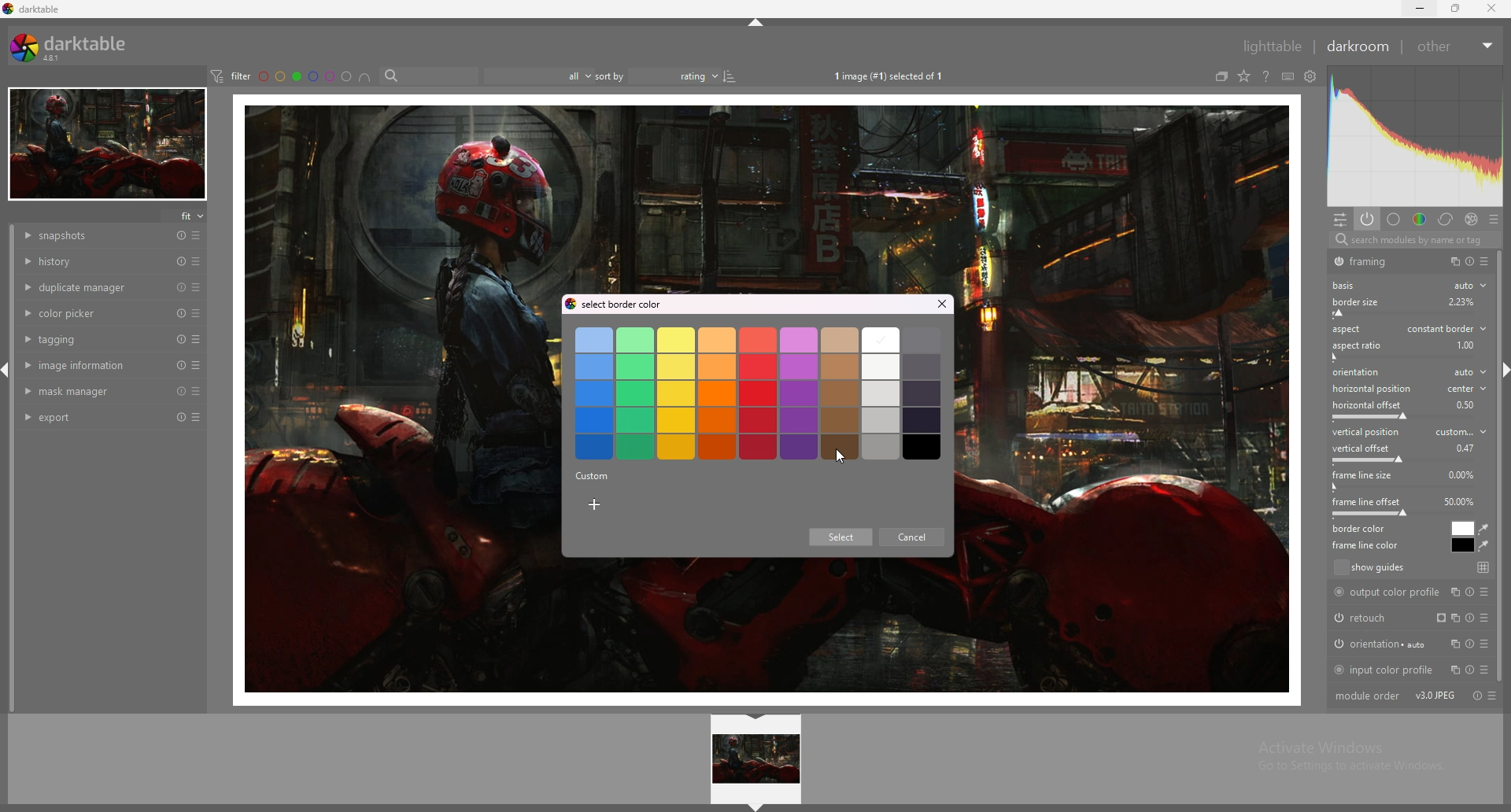  I want to click on define shortcuts, so click(1287, 76).